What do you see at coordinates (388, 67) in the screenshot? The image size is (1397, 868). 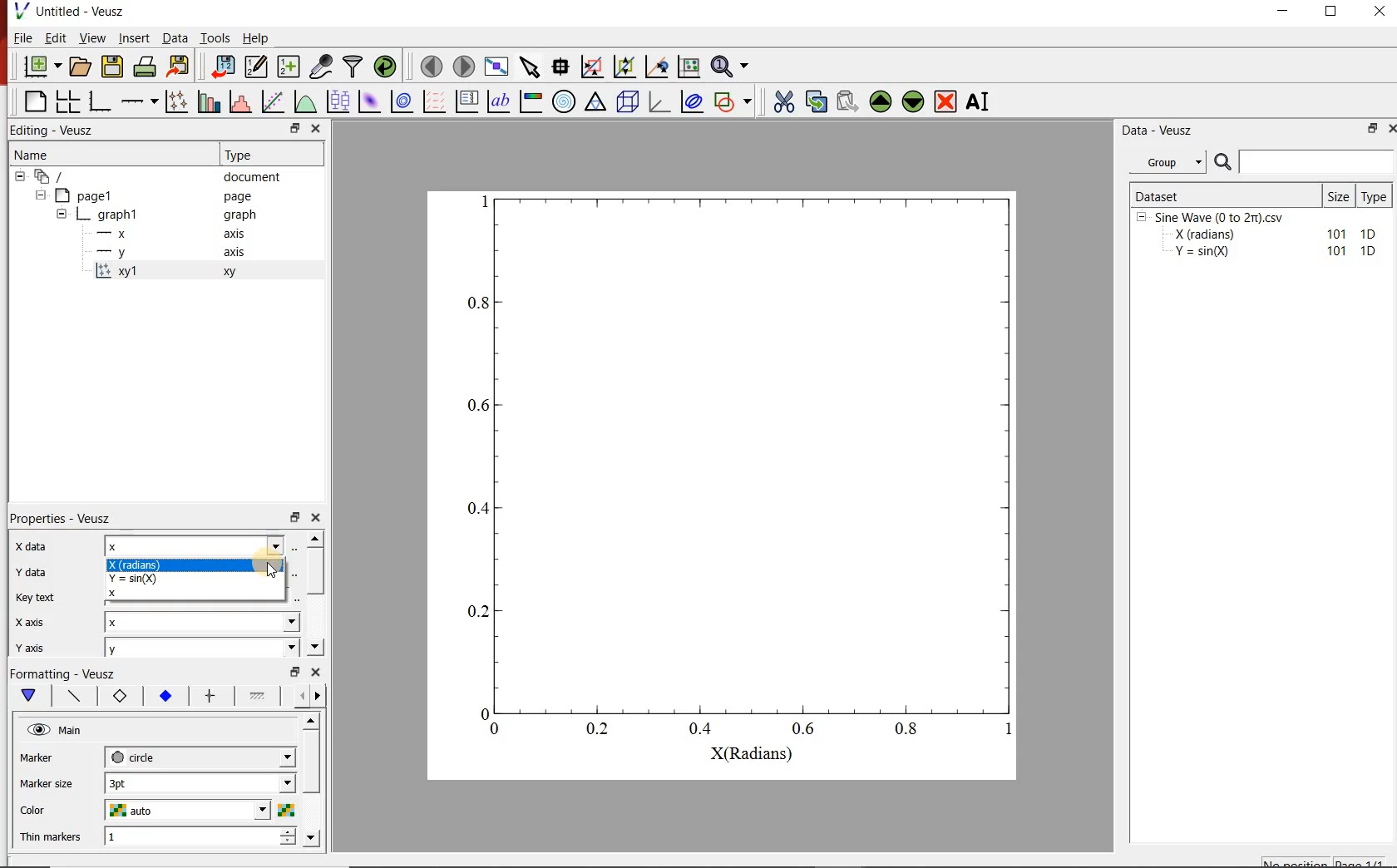 I see `reload linked datasets` at bounding box center [388, 67].